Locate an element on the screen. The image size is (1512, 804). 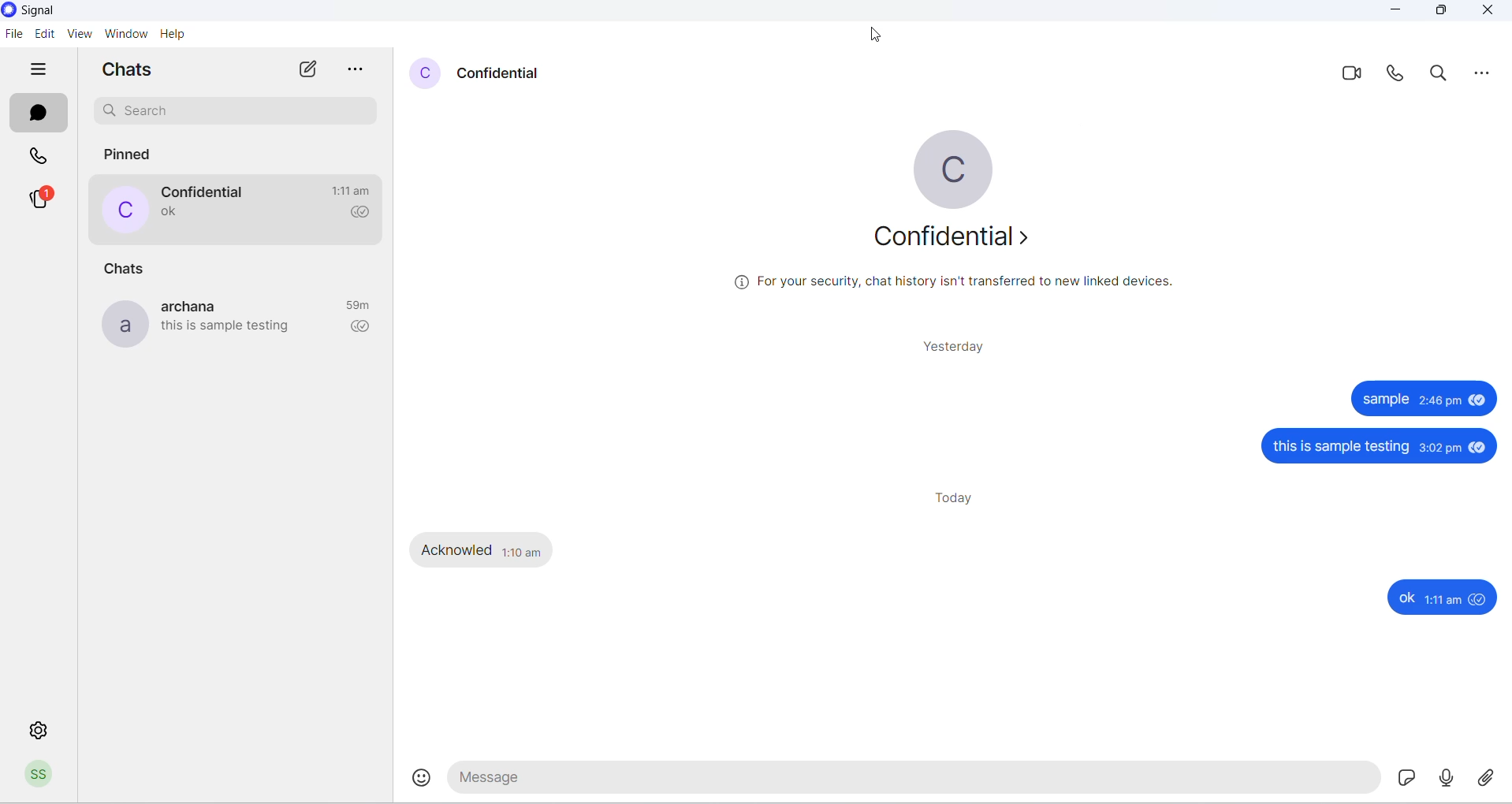
sample is located at coordinates (1384, 399).